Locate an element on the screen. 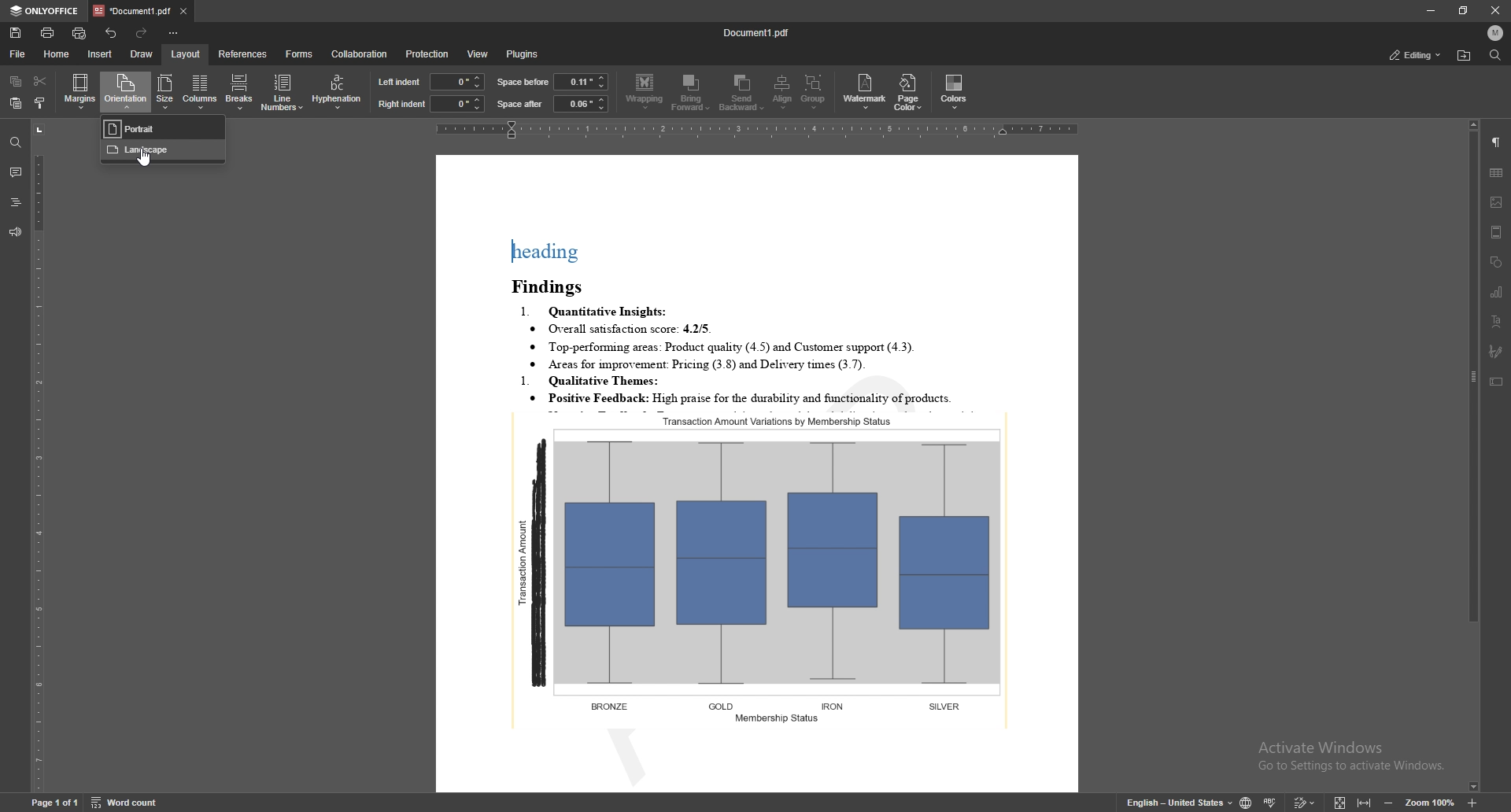 The height and width of the screenshot is (812, 1511). space after is located at coordinates (520, 104).